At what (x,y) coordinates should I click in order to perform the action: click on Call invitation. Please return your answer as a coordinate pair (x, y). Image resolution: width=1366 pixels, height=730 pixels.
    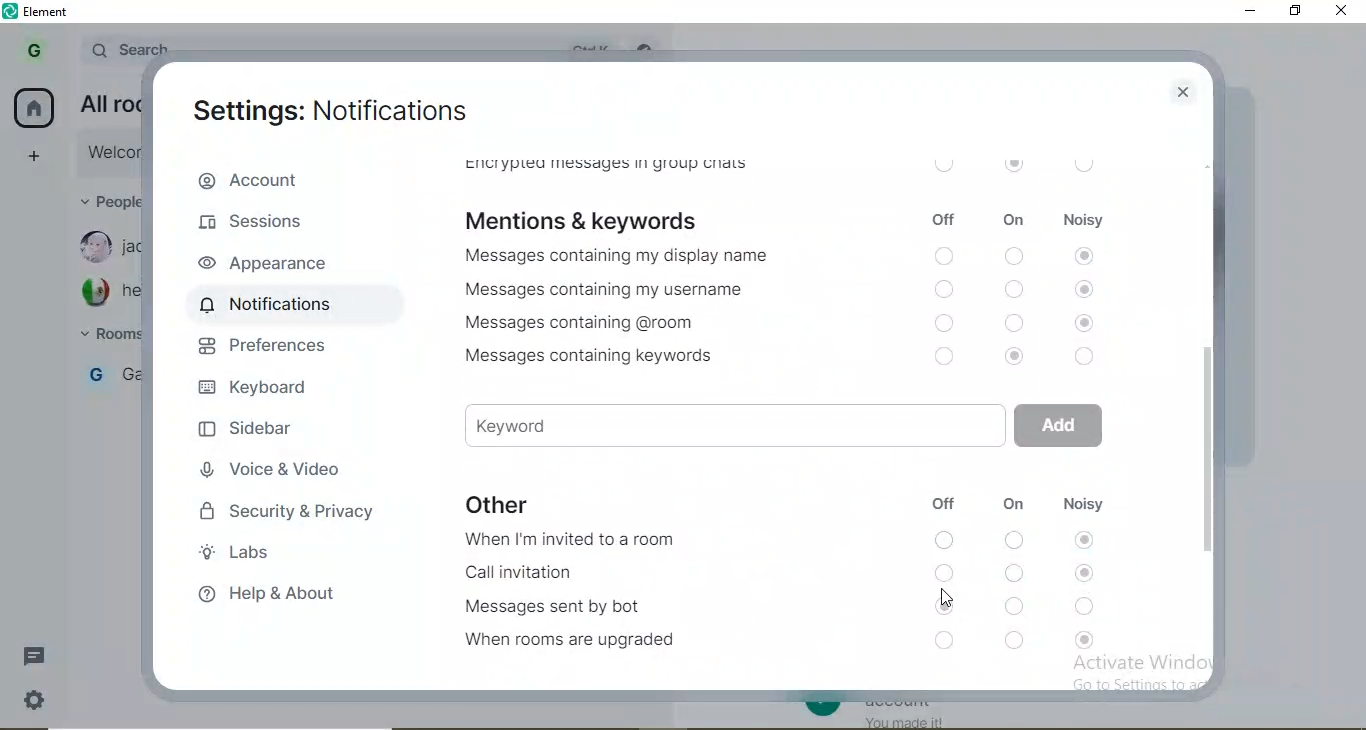
    Looking at the image, I should click on (515, 575).